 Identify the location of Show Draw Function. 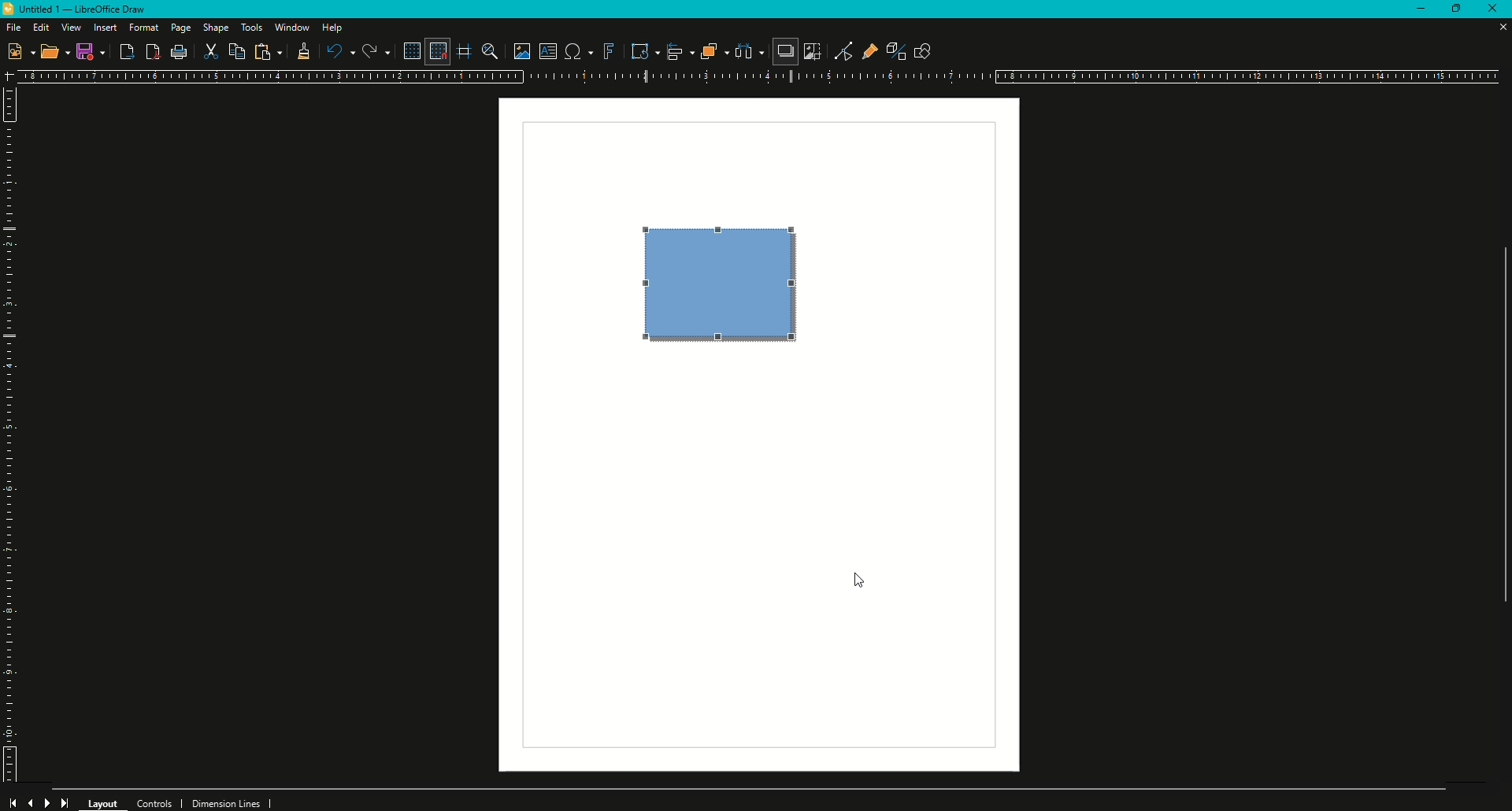
(922, 50).